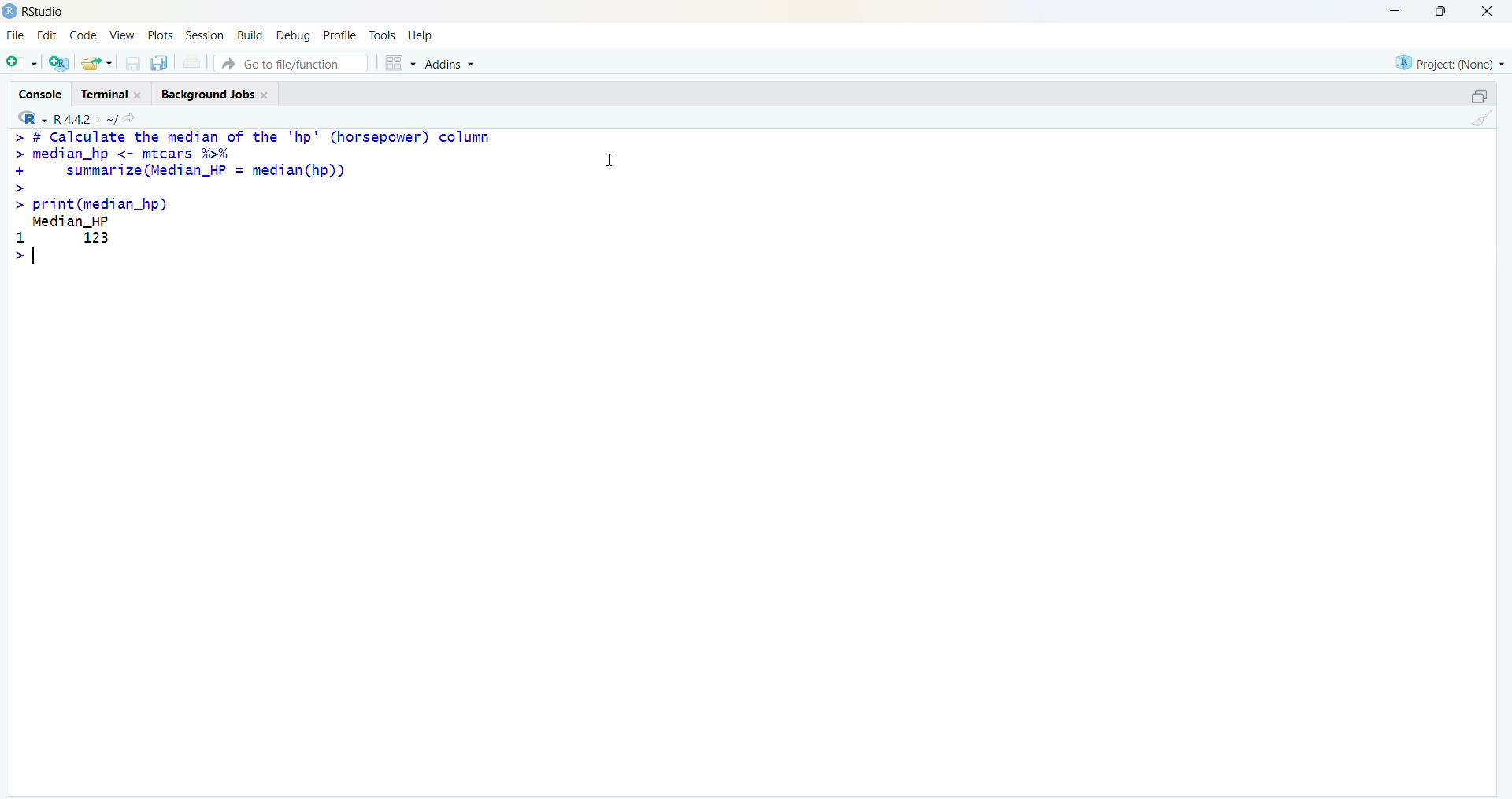 This screenshot has width=1512, height=799. I want to click on R, so click(31, 117).